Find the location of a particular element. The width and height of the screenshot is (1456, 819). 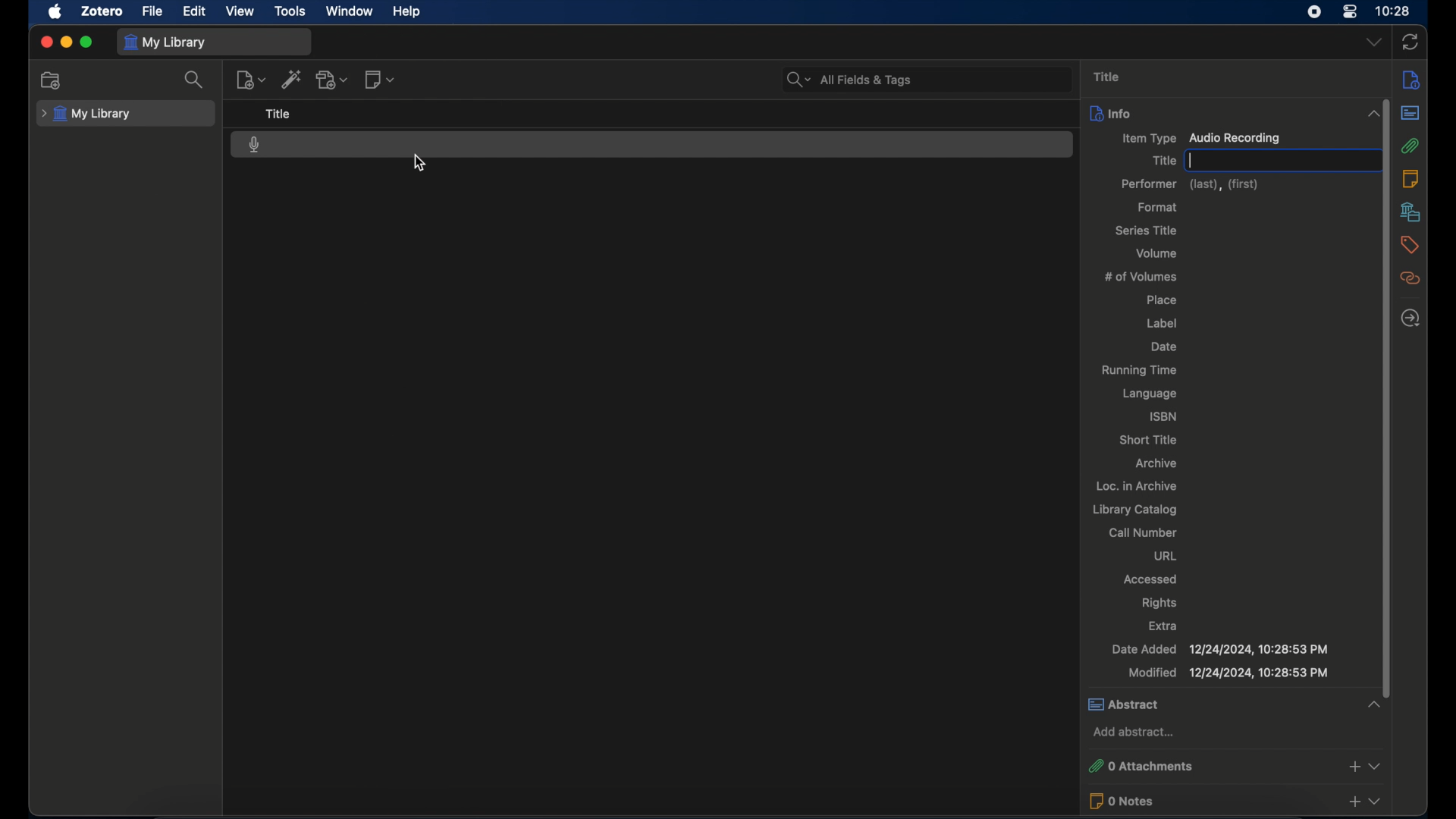

new notes is located at coordinates (381, 79).